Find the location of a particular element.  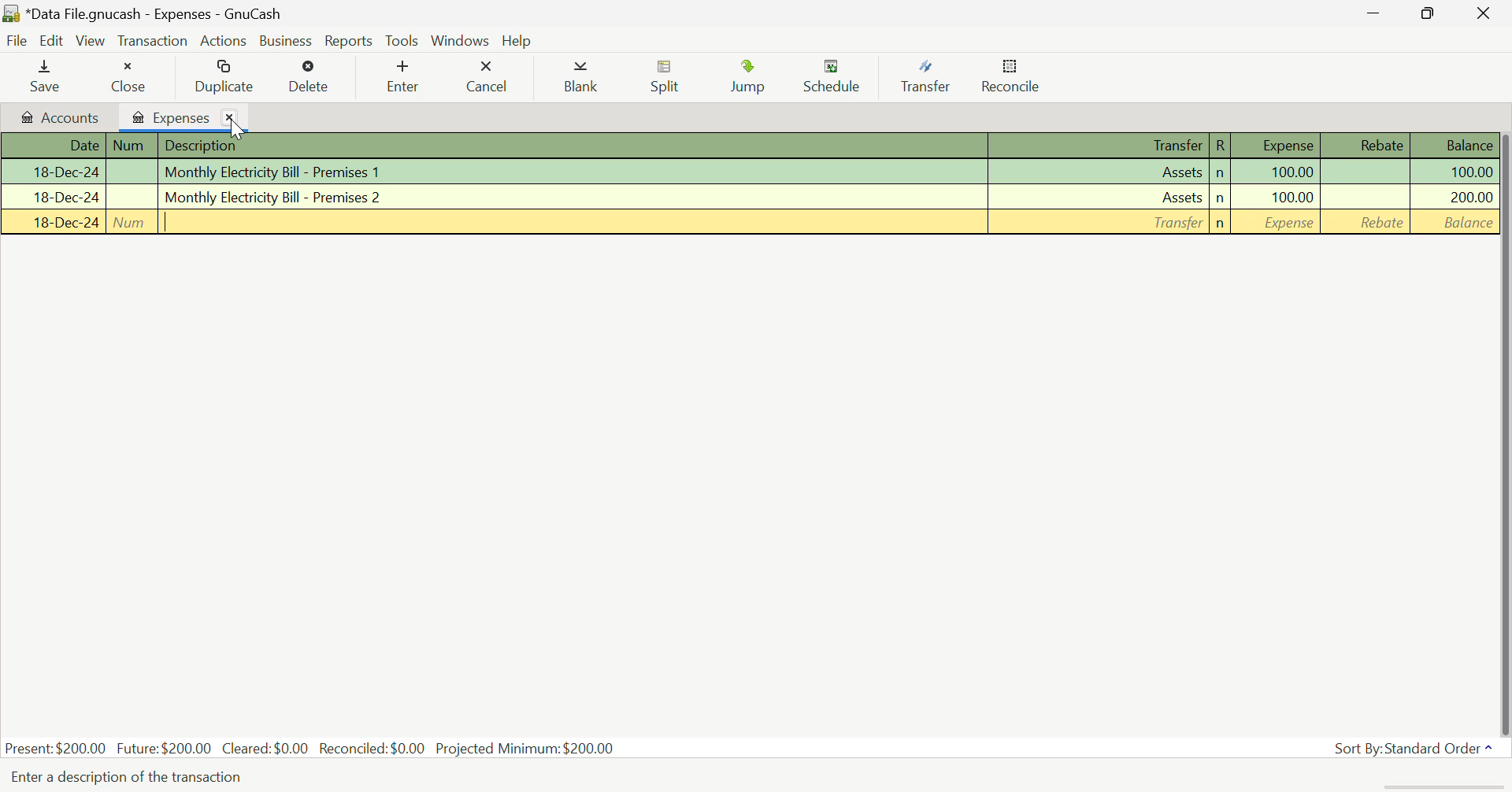

Tools is located at coordinates (403, 42).